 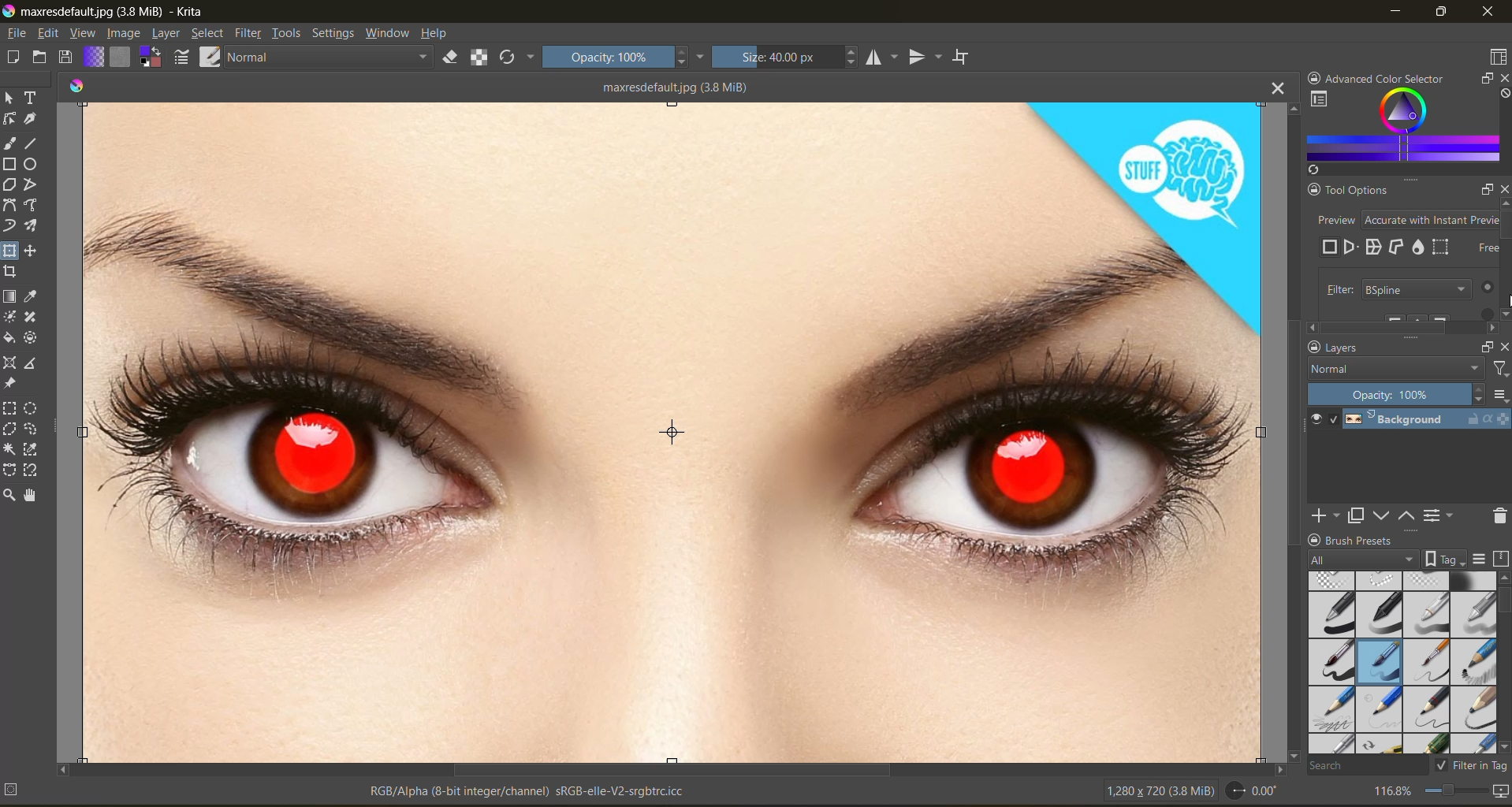 I want to click on zoom, so click(x=1458, y=794).